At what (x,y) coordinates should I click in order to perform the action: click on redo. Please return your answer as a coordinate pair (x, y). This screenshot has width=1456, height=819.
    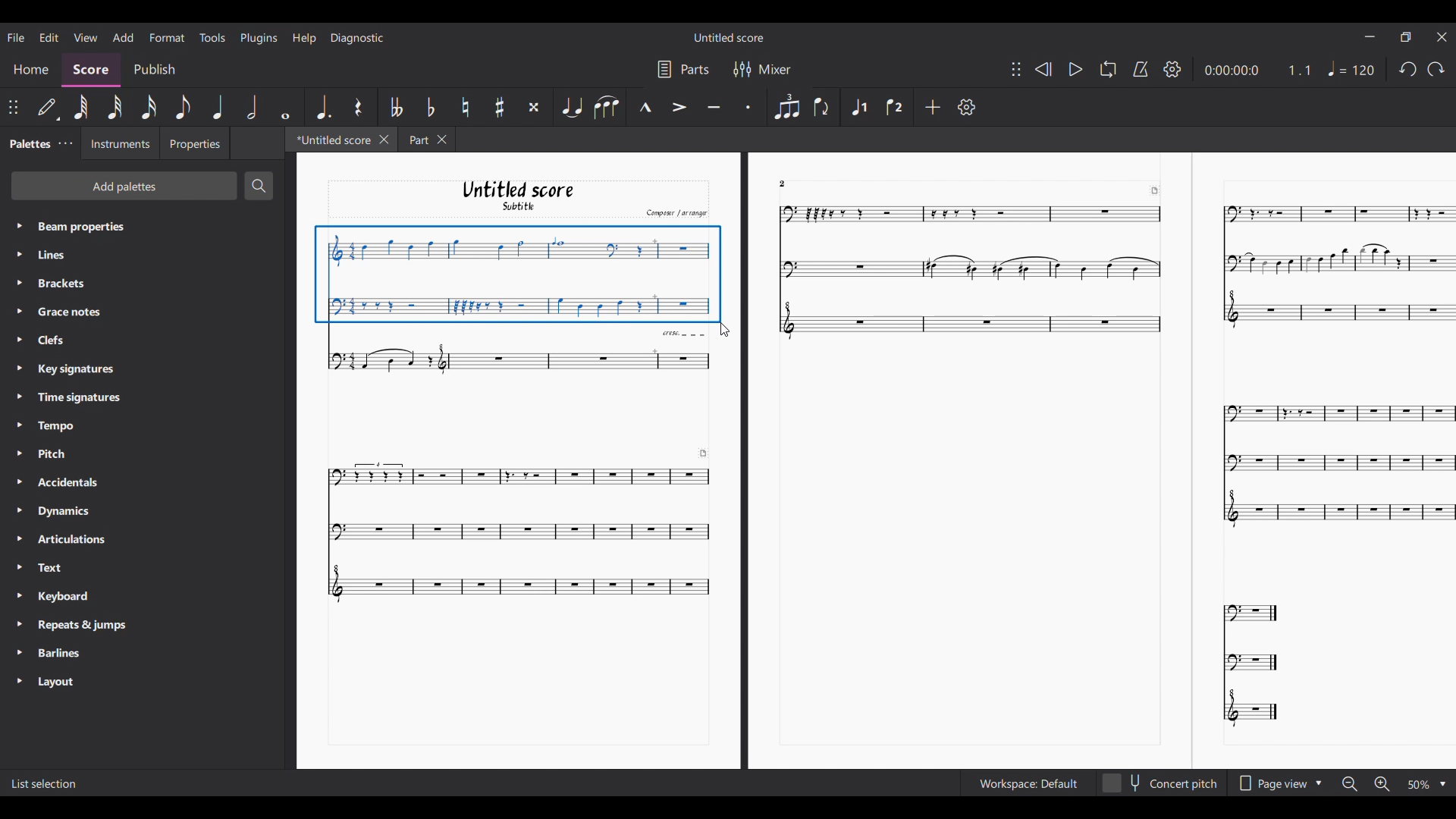
    Looking at the image, I should click on (1406, 73).